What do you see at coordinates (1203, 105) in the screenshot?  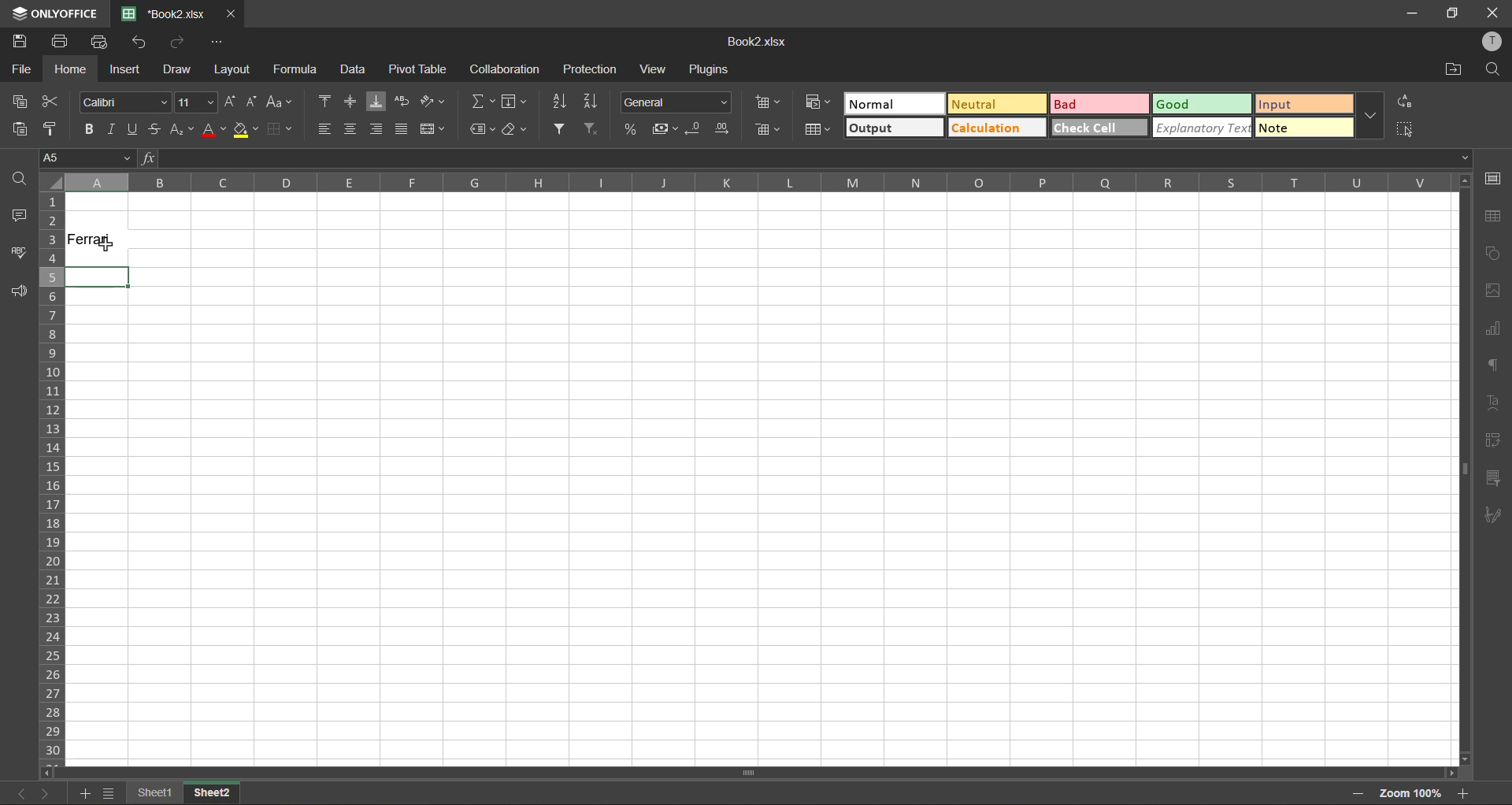 I see `good` at bounding box center [1203, 105].